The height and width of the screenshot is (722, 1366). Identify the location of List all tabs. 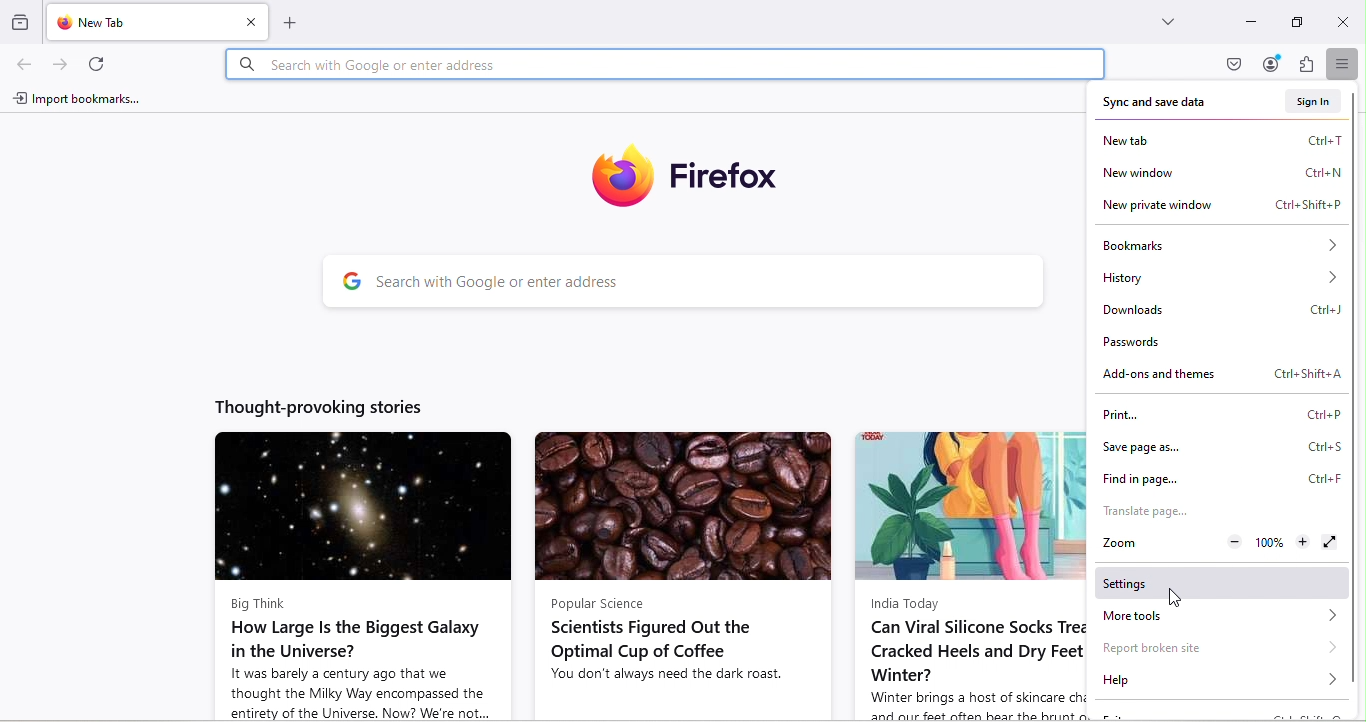
(1167, 25).